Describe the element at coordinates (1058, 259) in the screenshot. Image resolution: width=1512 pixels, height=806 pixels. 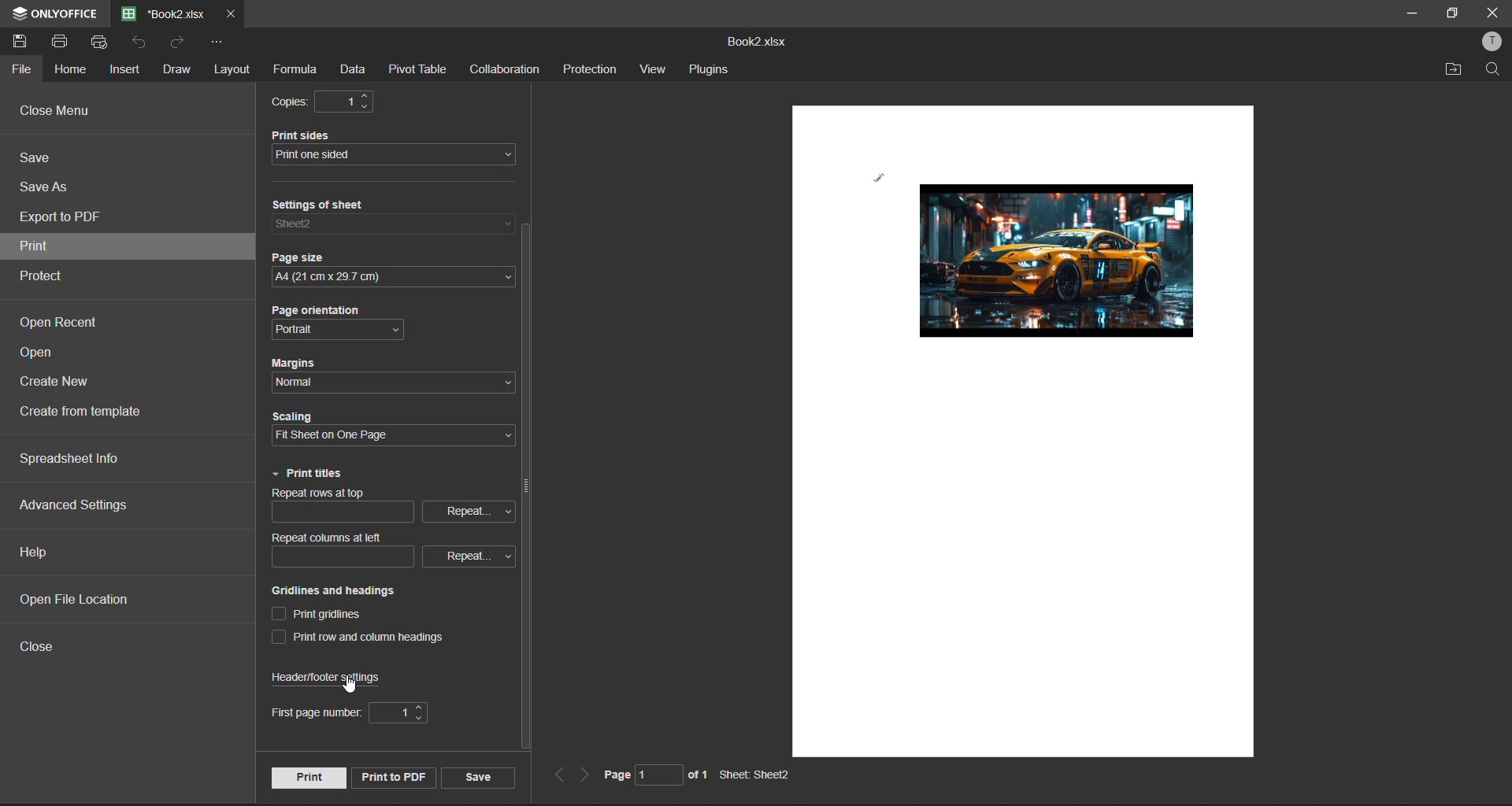
I see `picture` at that location.